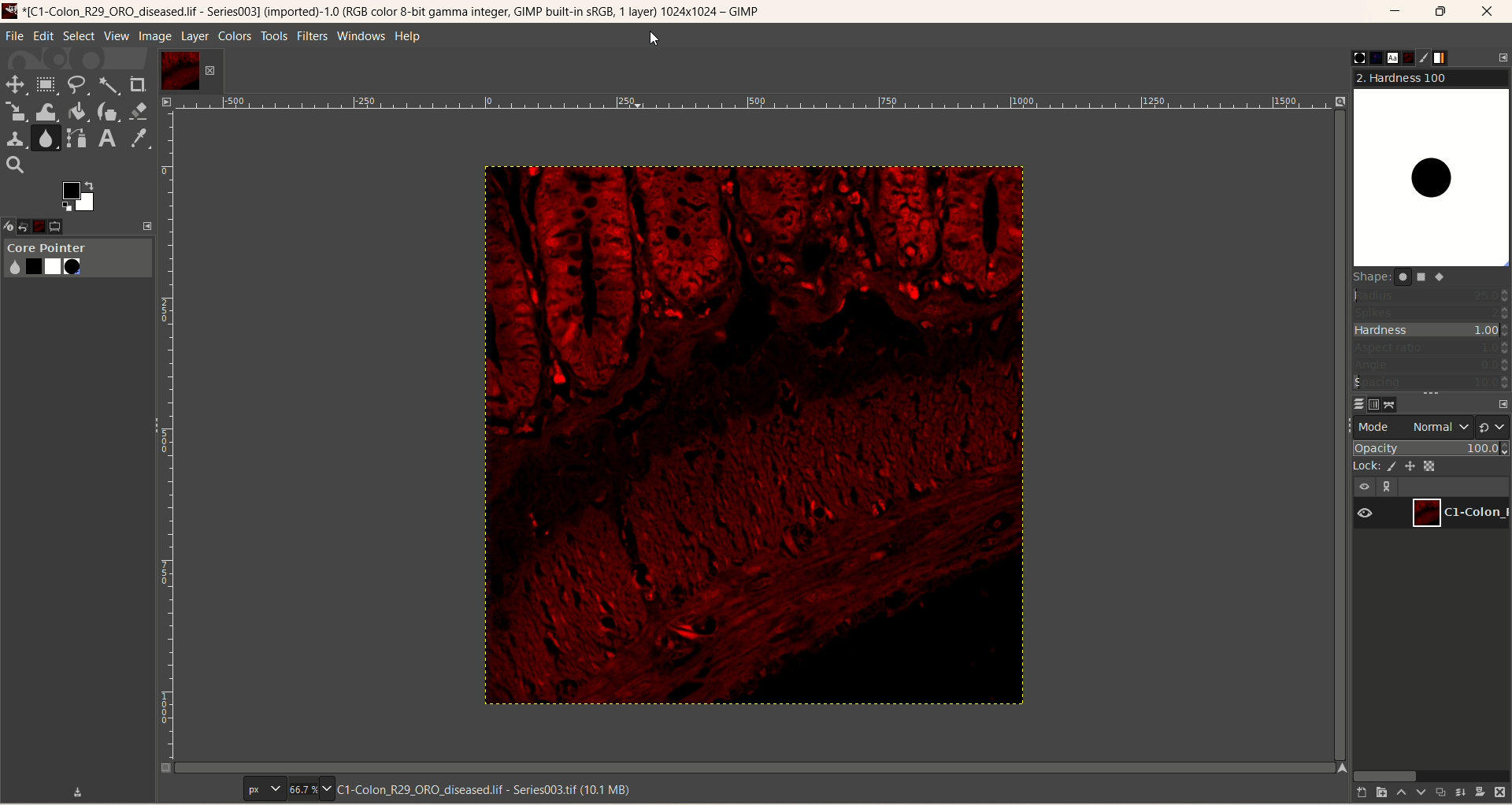 This screenshot has height=805, width=1512. I want to click on tools, so click(275, 36).